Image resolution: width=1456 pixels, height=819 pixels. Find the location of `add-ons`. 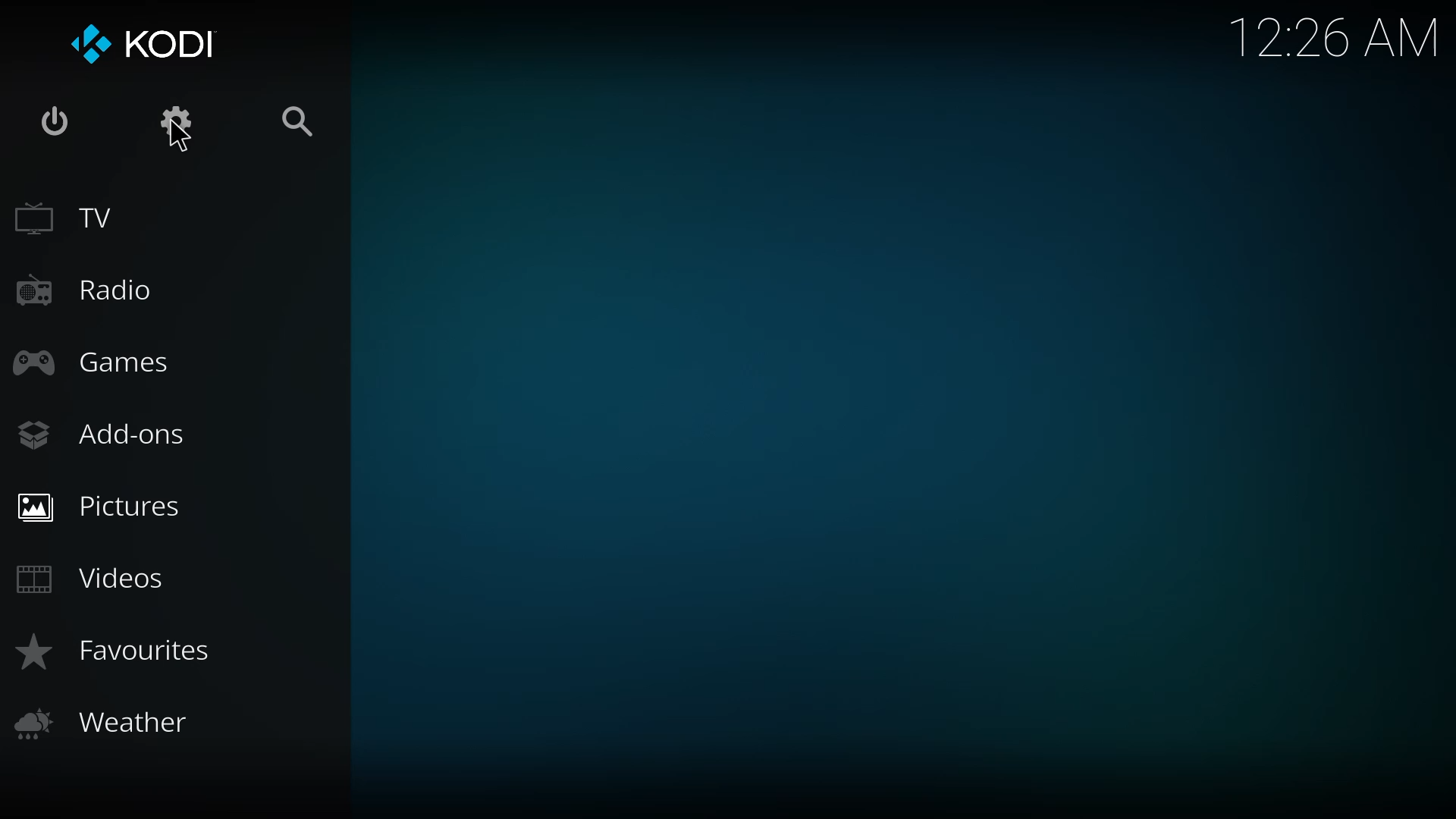

add-ons is located at coordinates (102, 434).